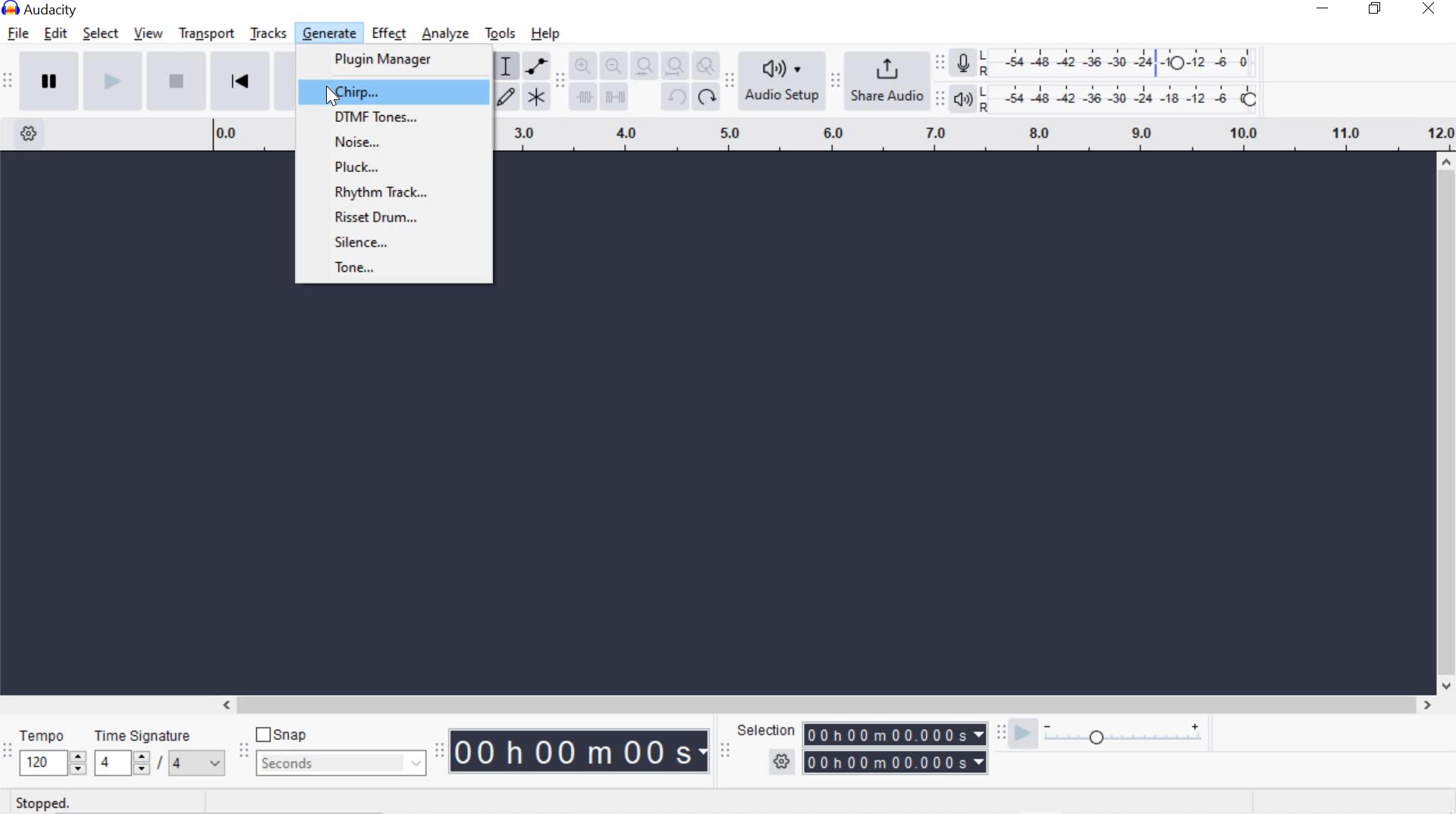 The width and height of the screenshot is (1456, 814). Describe the element at coordinates (270, 34) in the screenshot. I see `tracks` at that location.